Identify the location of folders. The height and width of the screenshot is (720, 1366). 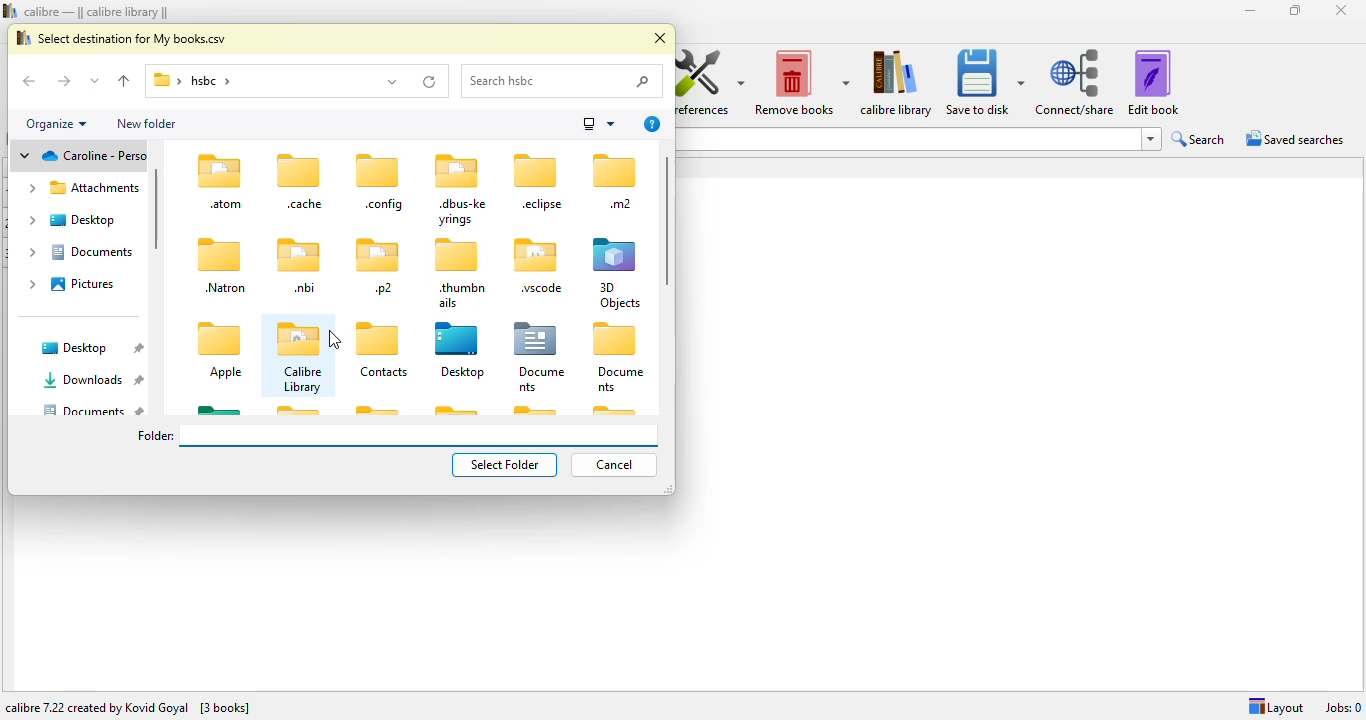
(82, 376).